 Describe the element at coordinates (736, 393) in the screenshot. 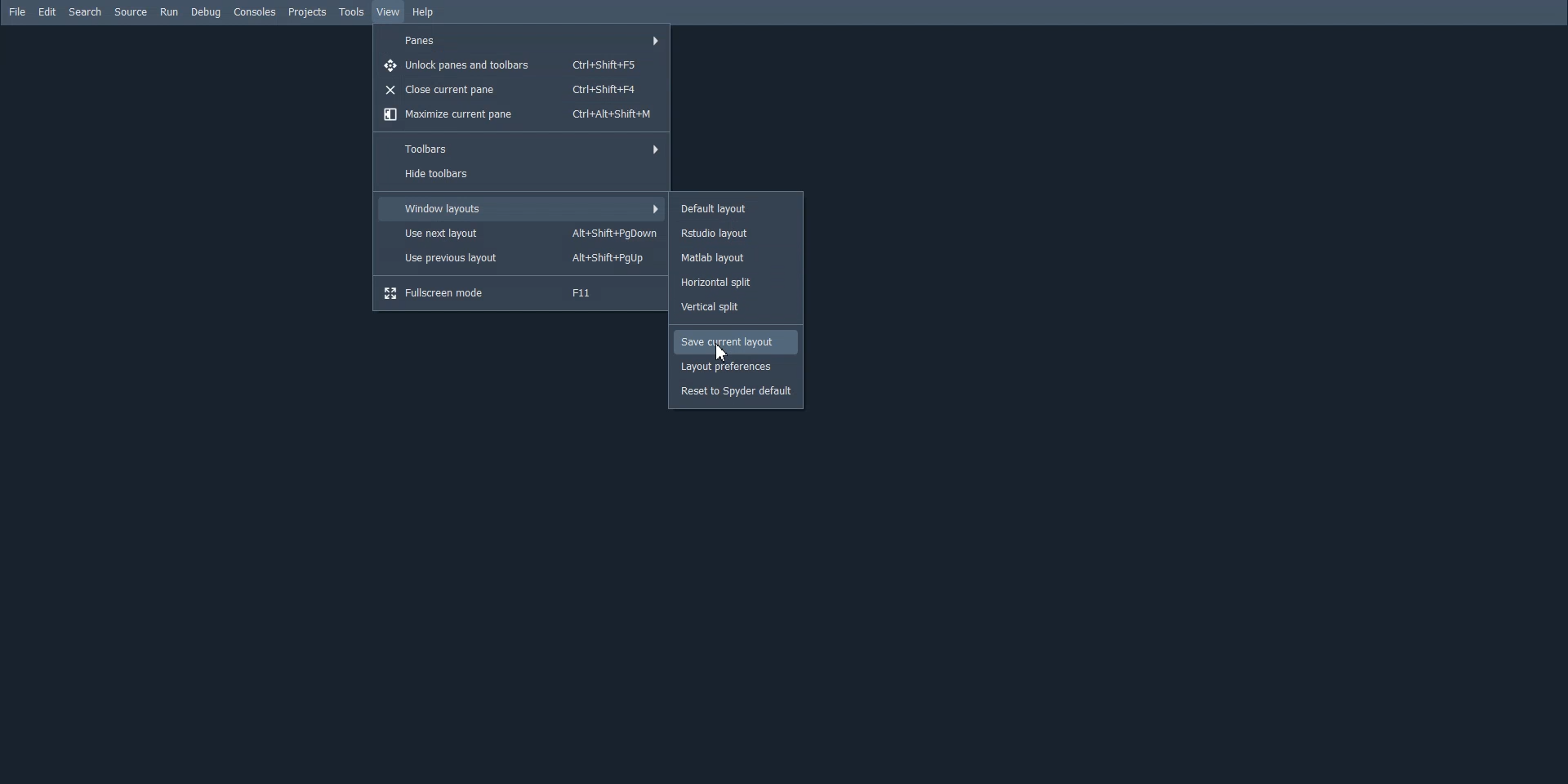

I see `Reset to spyder default` at that location.